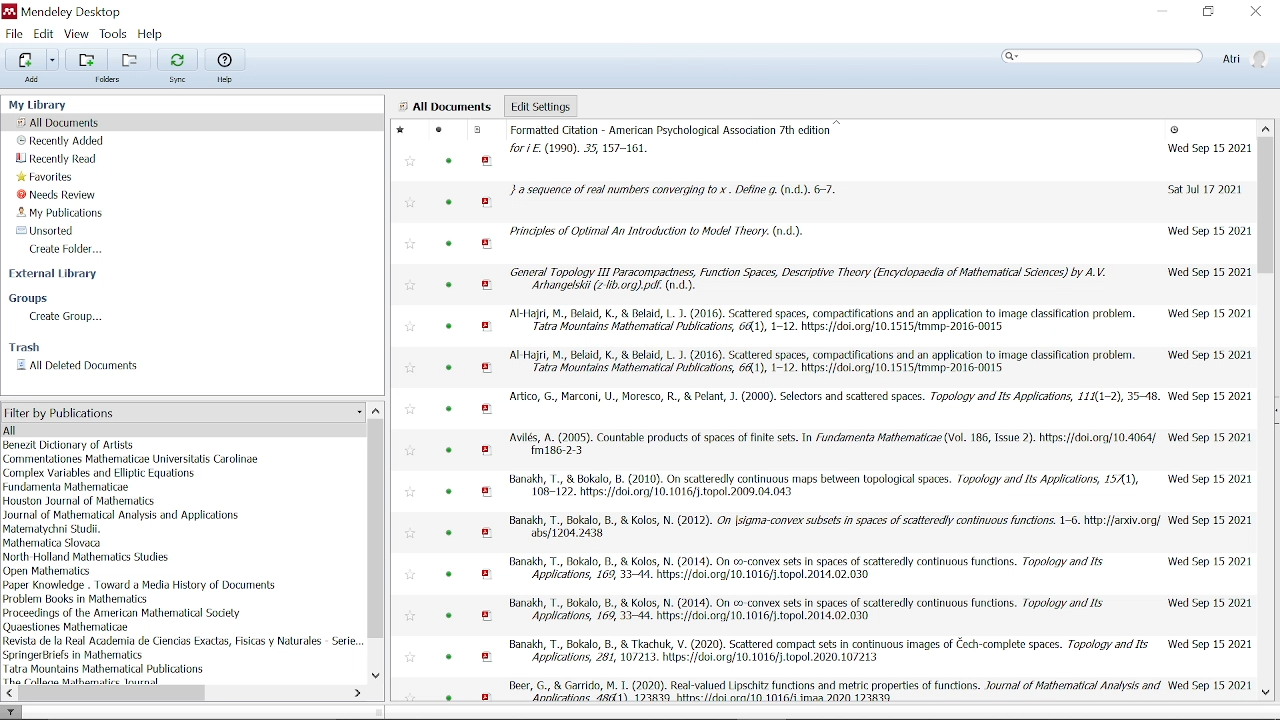 The image size is (1280, 720). What do you see at coordinates (62, 122) in the screenshot?
I see `All Documents` at bounding box center [62, 122].